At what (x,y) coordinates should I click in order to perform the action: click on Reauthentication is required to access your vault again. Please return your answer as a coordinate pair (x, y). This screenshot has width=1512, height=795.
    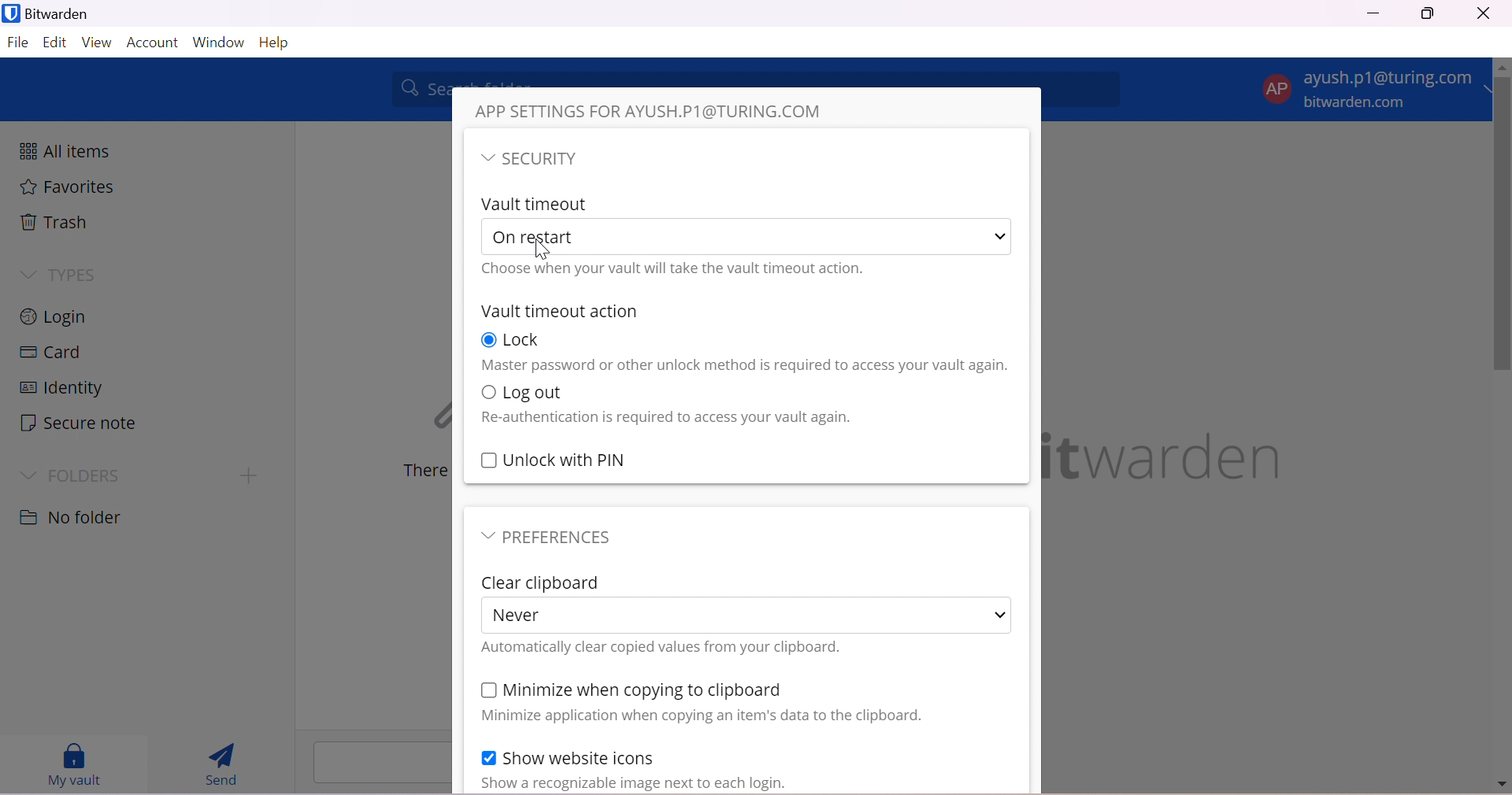
    Looking at the image, I should click on (665, 418).